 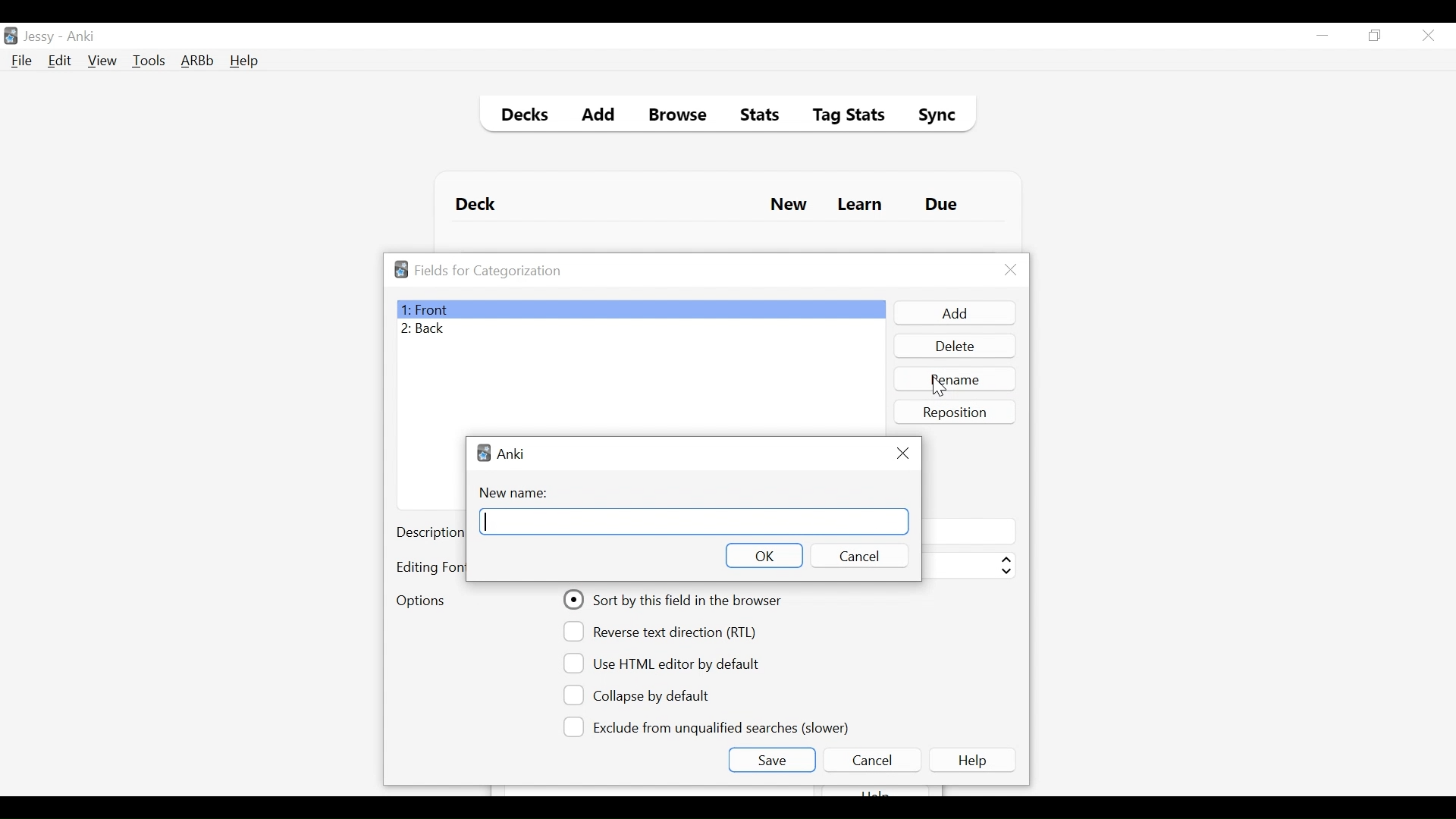 What do you see at coordinates (931, 117) in the screenshot?
I see `Sybc` at bounding box center [931, 117].